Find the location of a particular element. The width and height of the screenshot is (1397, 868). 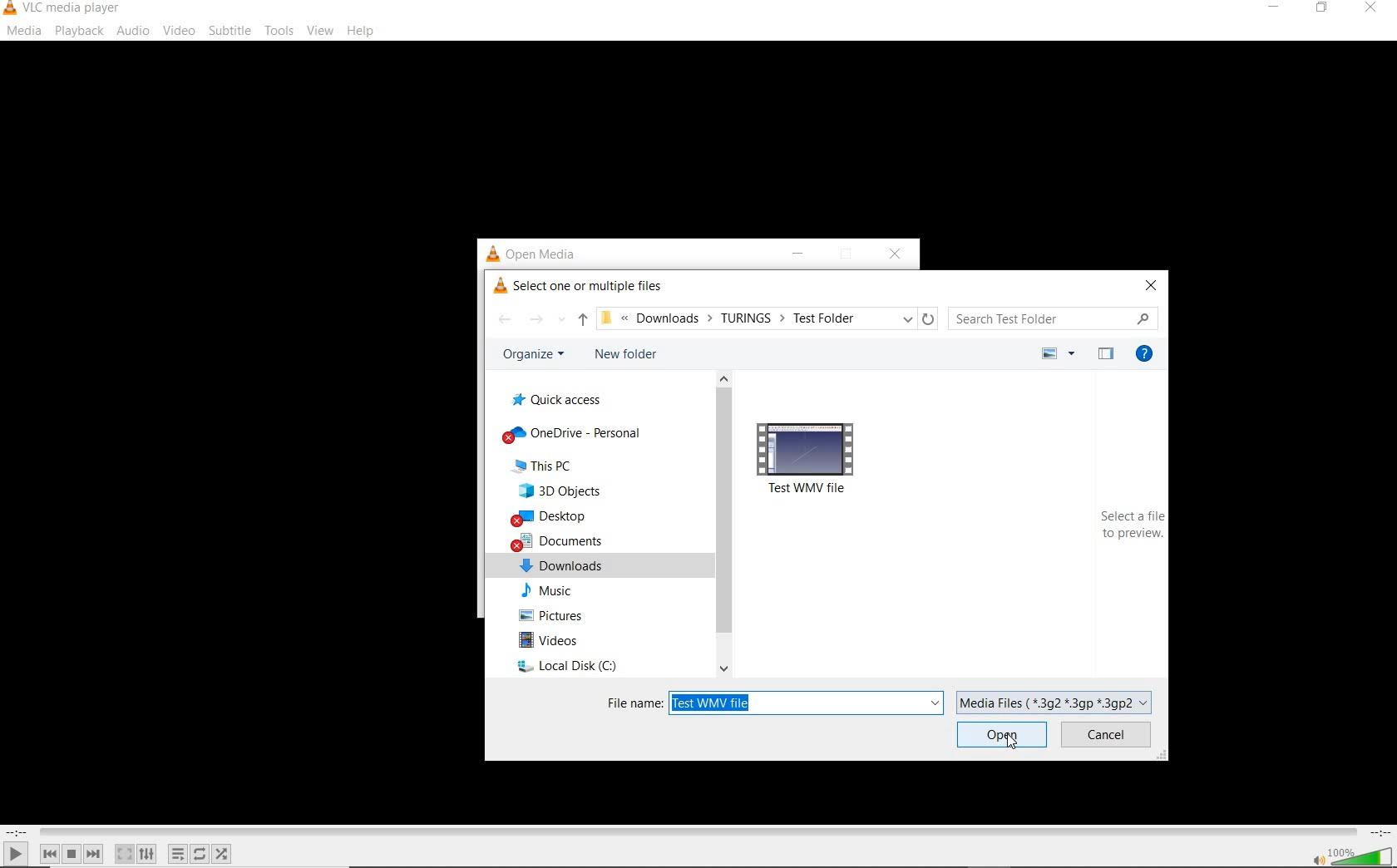

Music is located at coordinates (557, 592).